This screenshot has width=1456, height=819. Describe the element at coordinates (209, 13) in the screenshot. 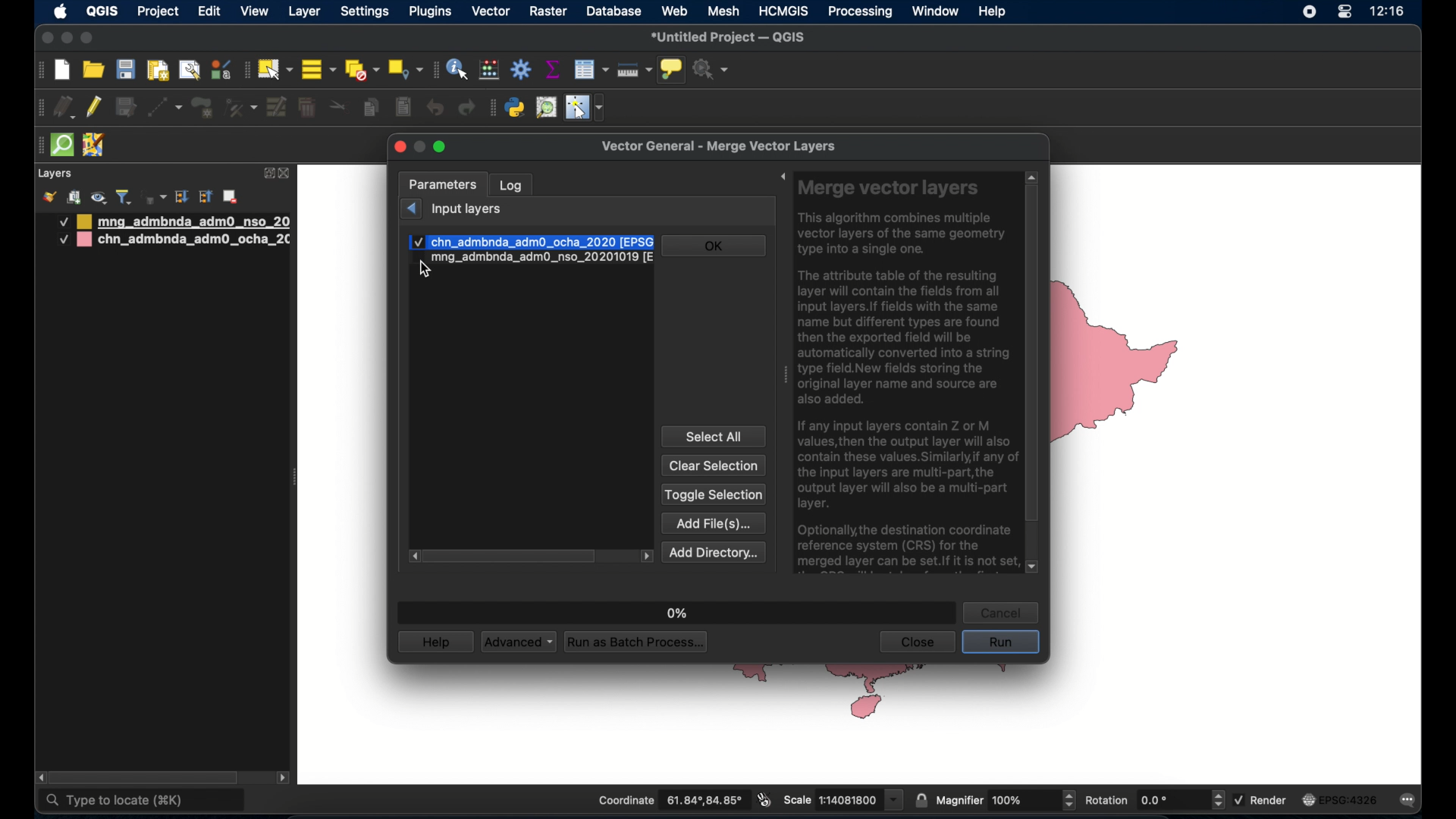

I see `edit` at that location.